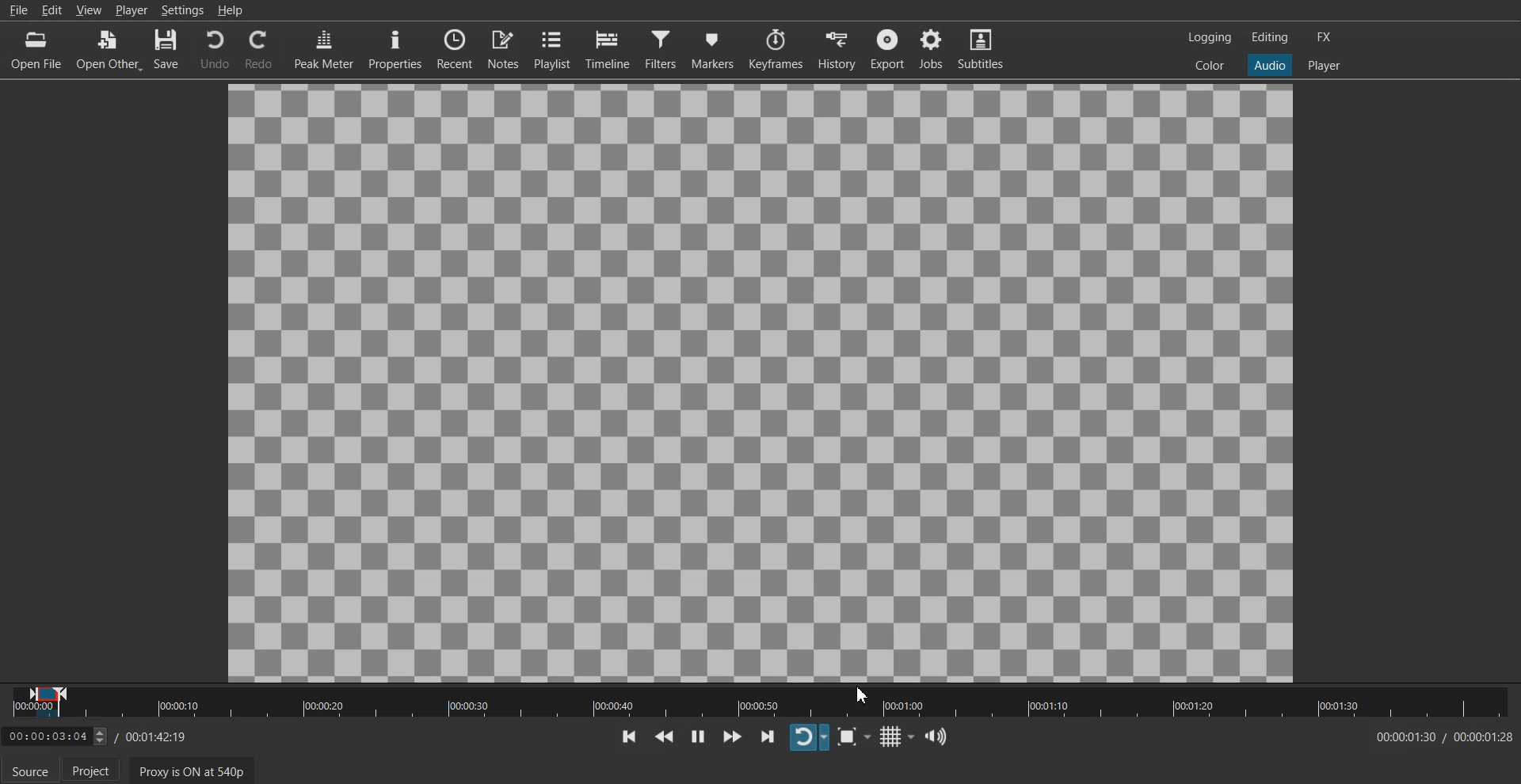 This screenshot has width=1521, height=784. Describe the element at coordinates (937, 736) in the screenshot. I see `Show the volume control` at that location.